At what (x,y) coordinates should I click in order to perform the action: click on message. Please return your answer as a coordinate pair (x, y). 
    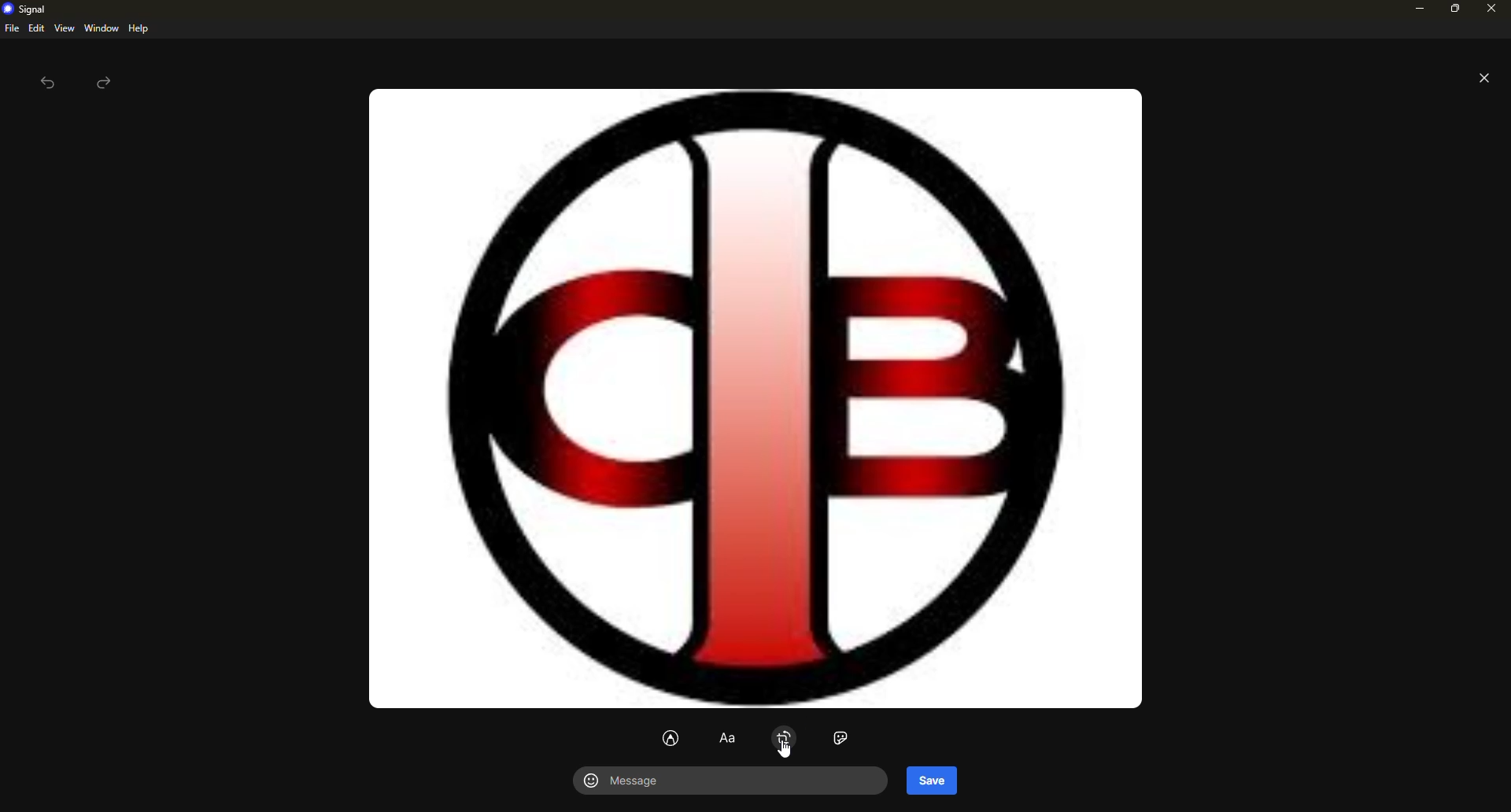
    Looking at the image, I should click on (631, 782).